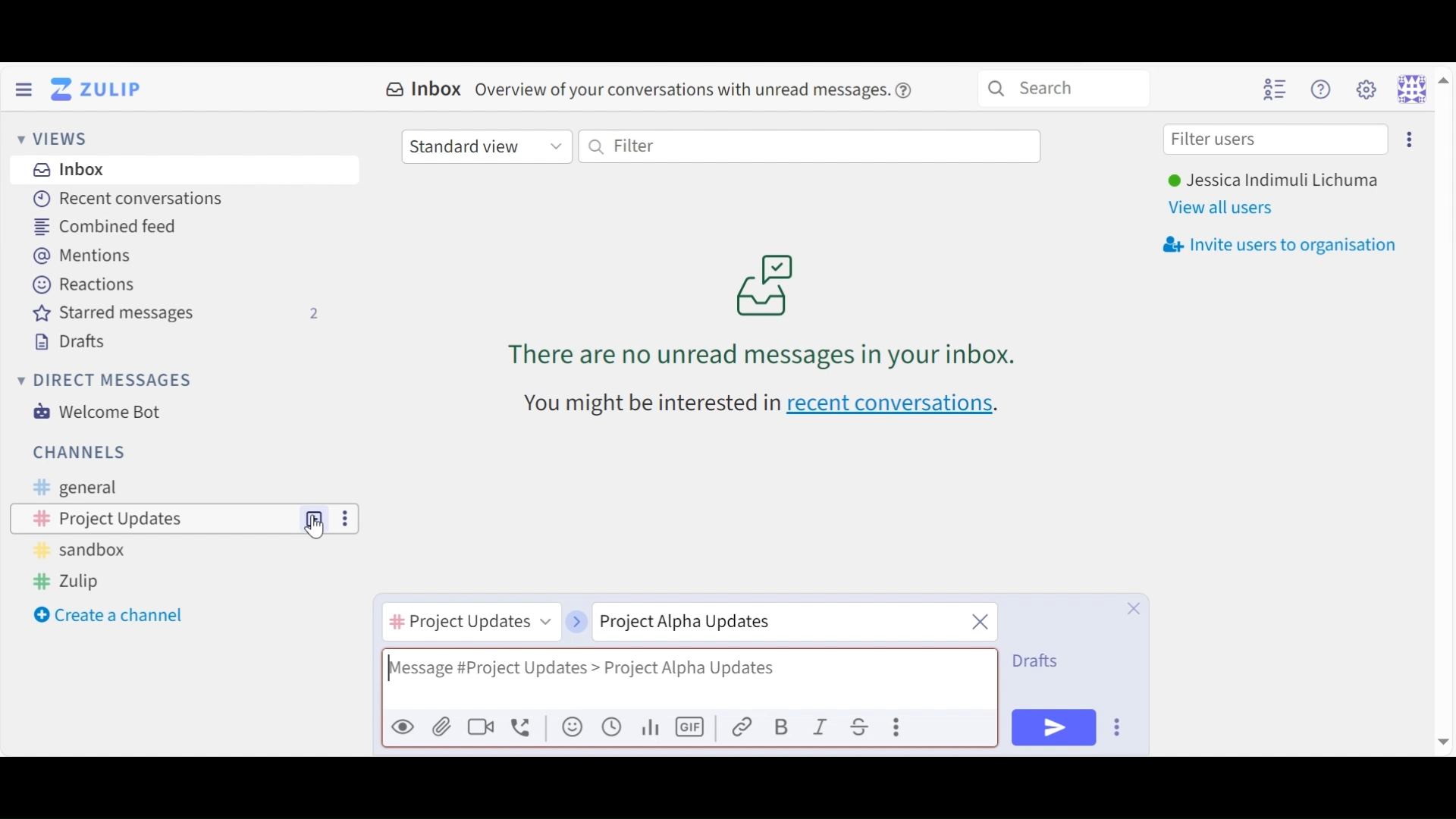 The image size is (1456, 819). I want to click on Drafts, so click(1040, 661).